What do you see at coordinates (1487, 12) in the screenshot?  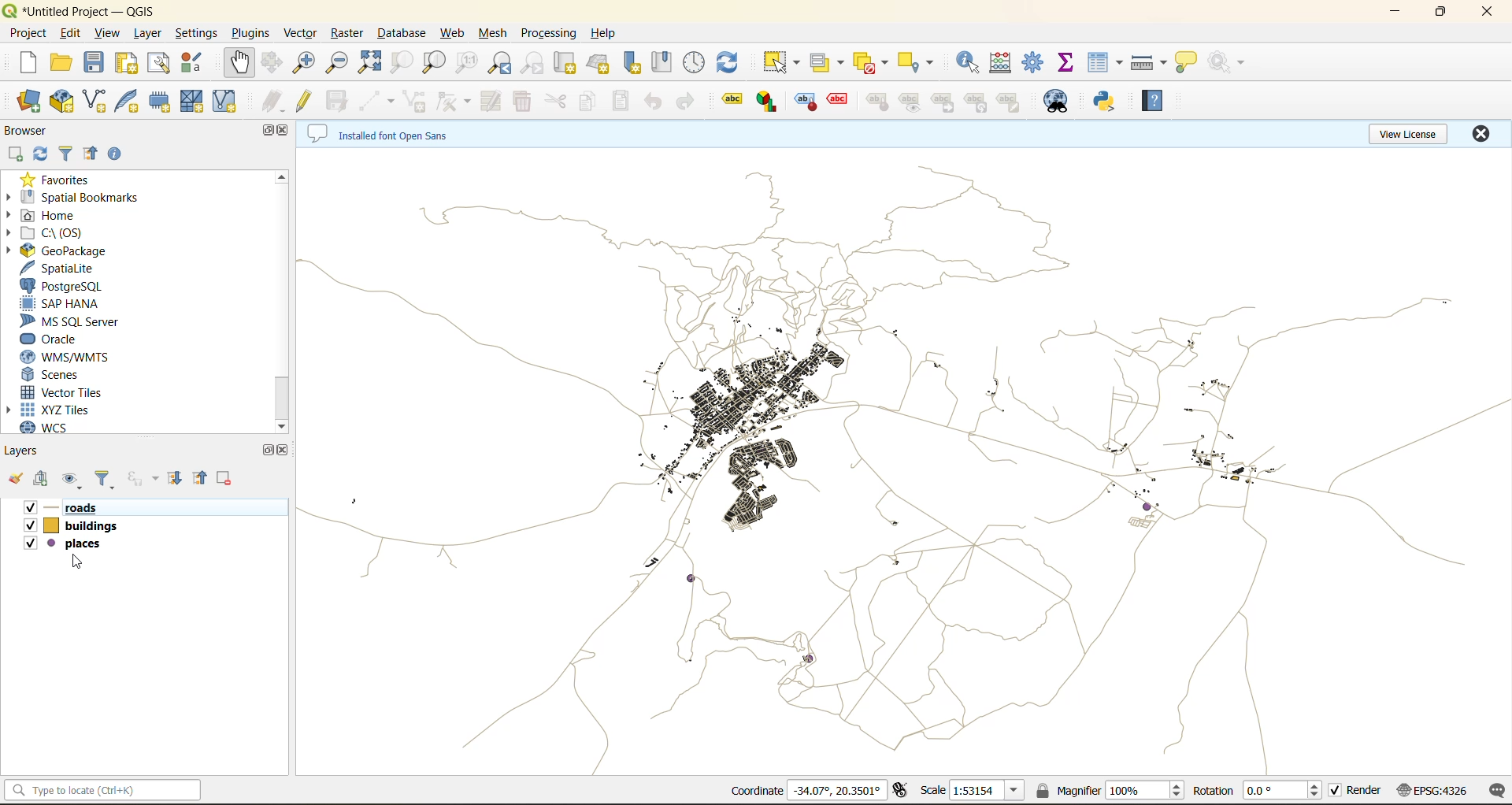 I see `close` at bounding box center [1487, 12].